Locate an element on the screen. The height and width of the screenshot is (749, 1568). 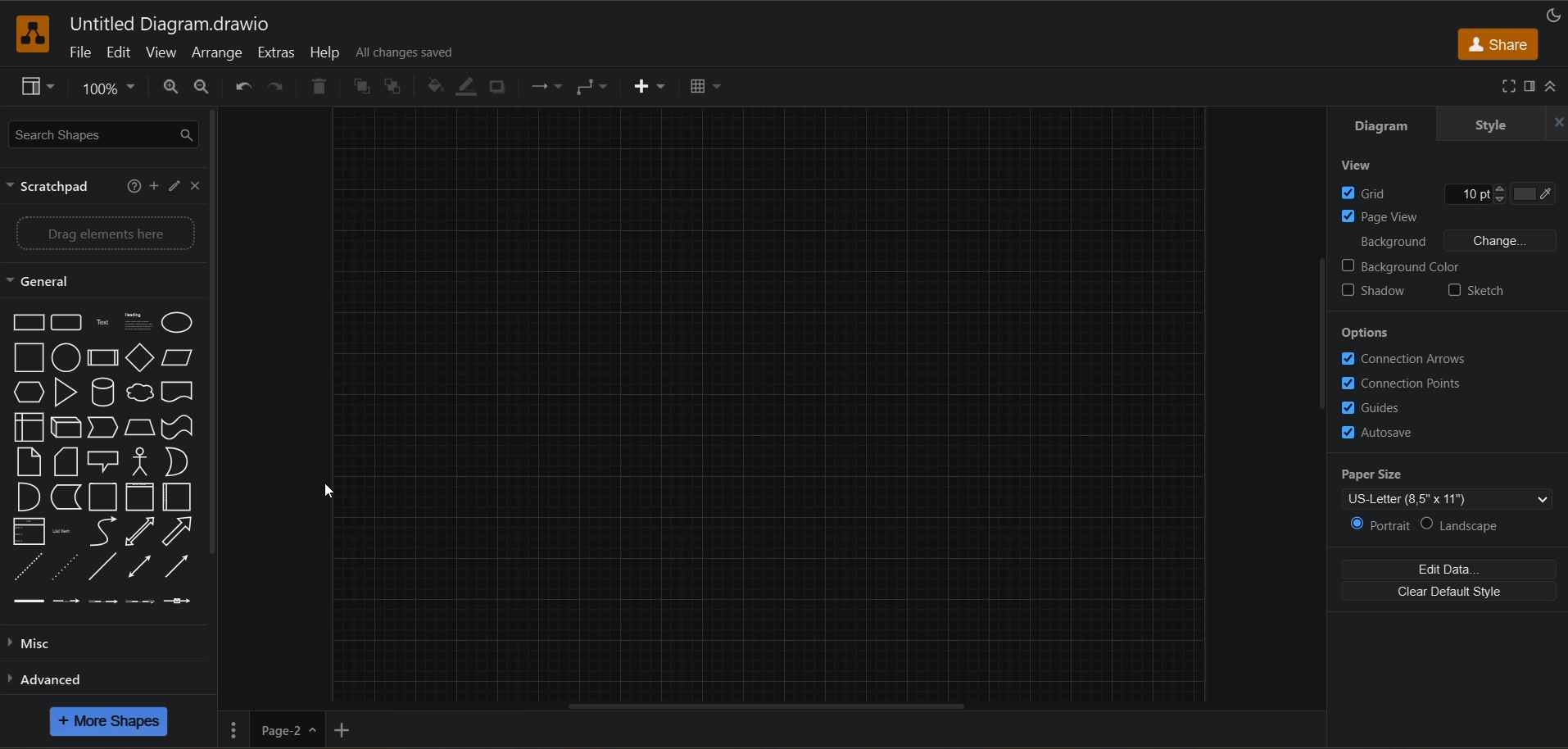
general is located at coordinates (49, 280).